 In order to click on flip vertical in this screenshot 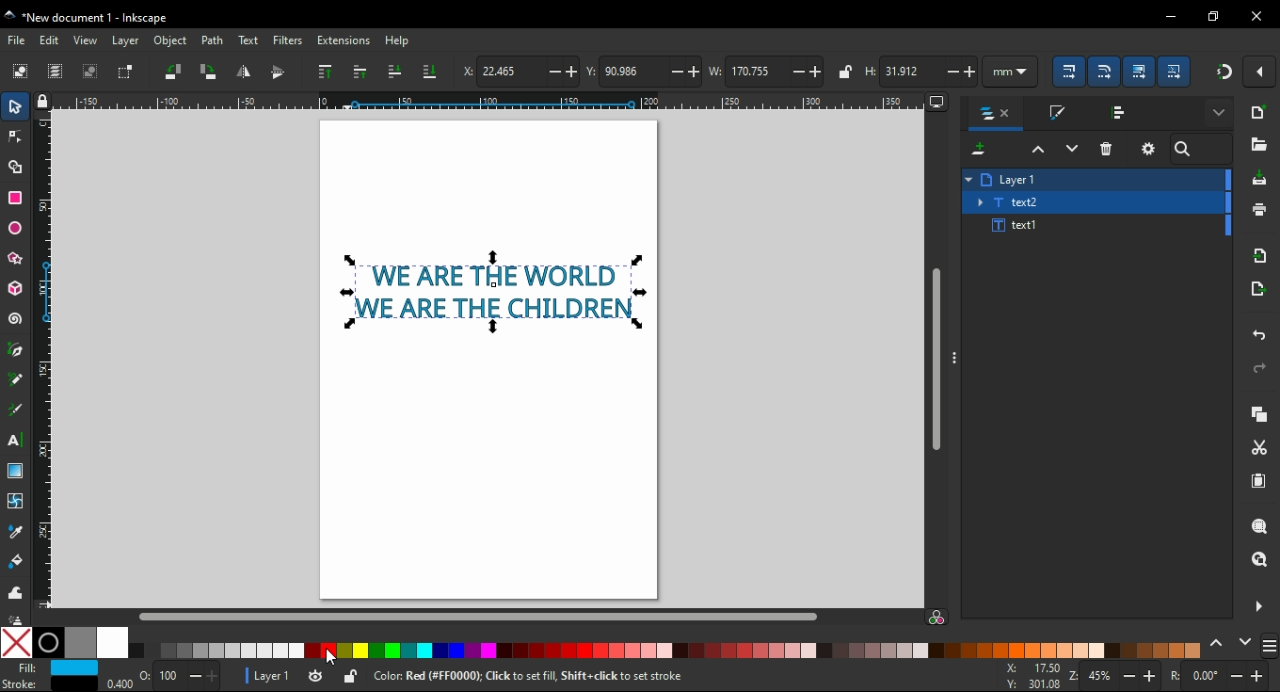, I will do `click(278, 72)`.